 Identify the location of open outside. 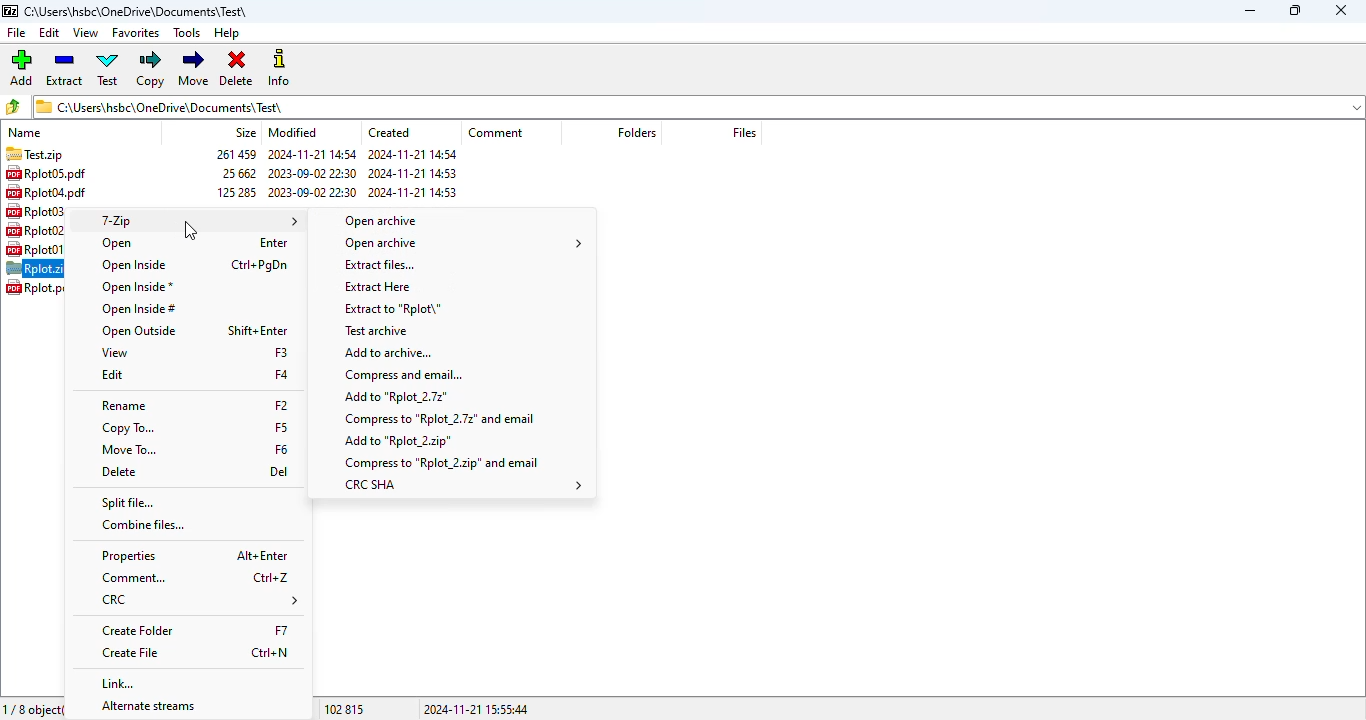
(137, 332).